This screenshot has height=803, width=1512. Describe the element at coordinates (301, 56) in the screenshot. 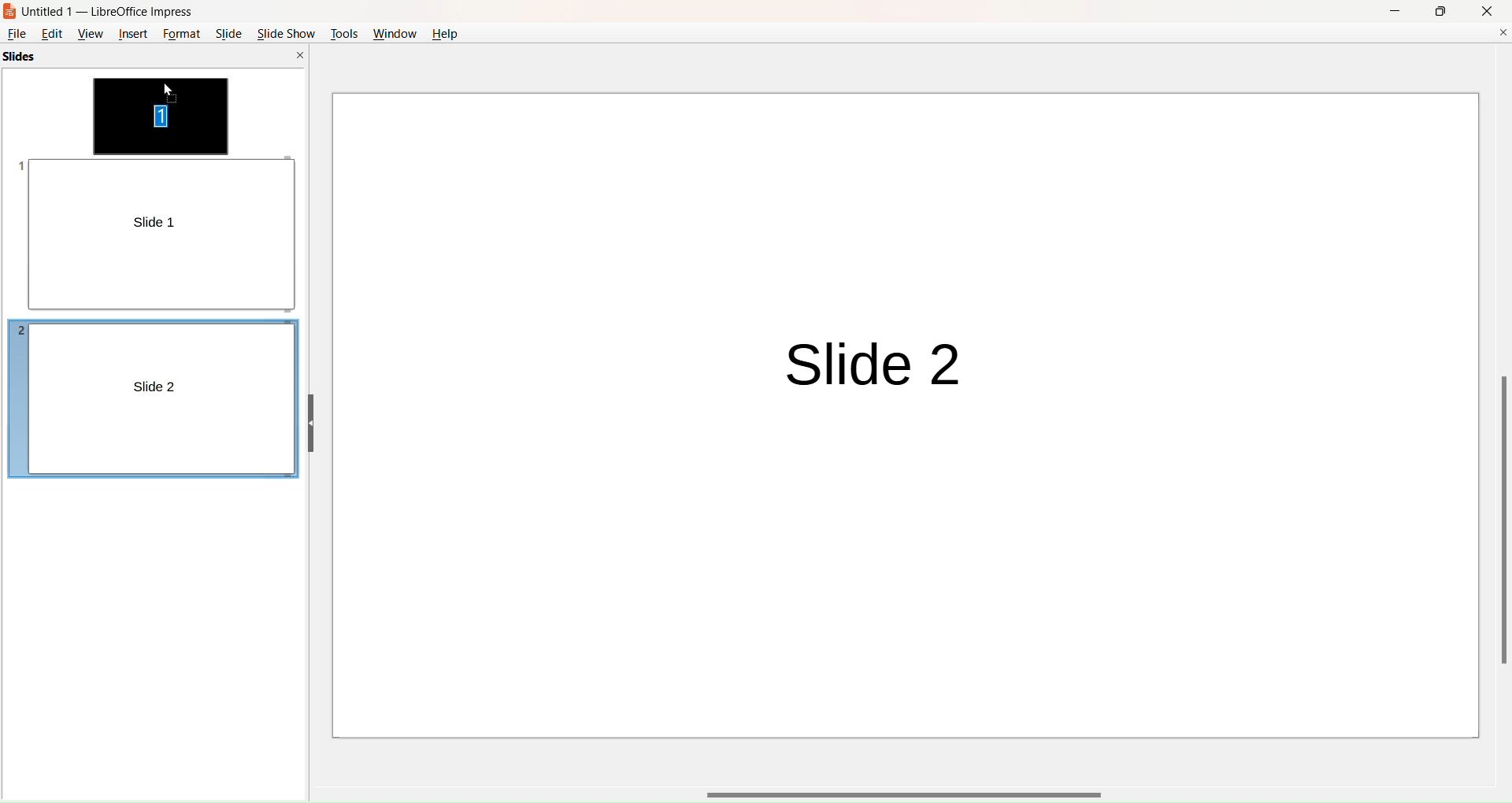

I see `close pane` at that location.